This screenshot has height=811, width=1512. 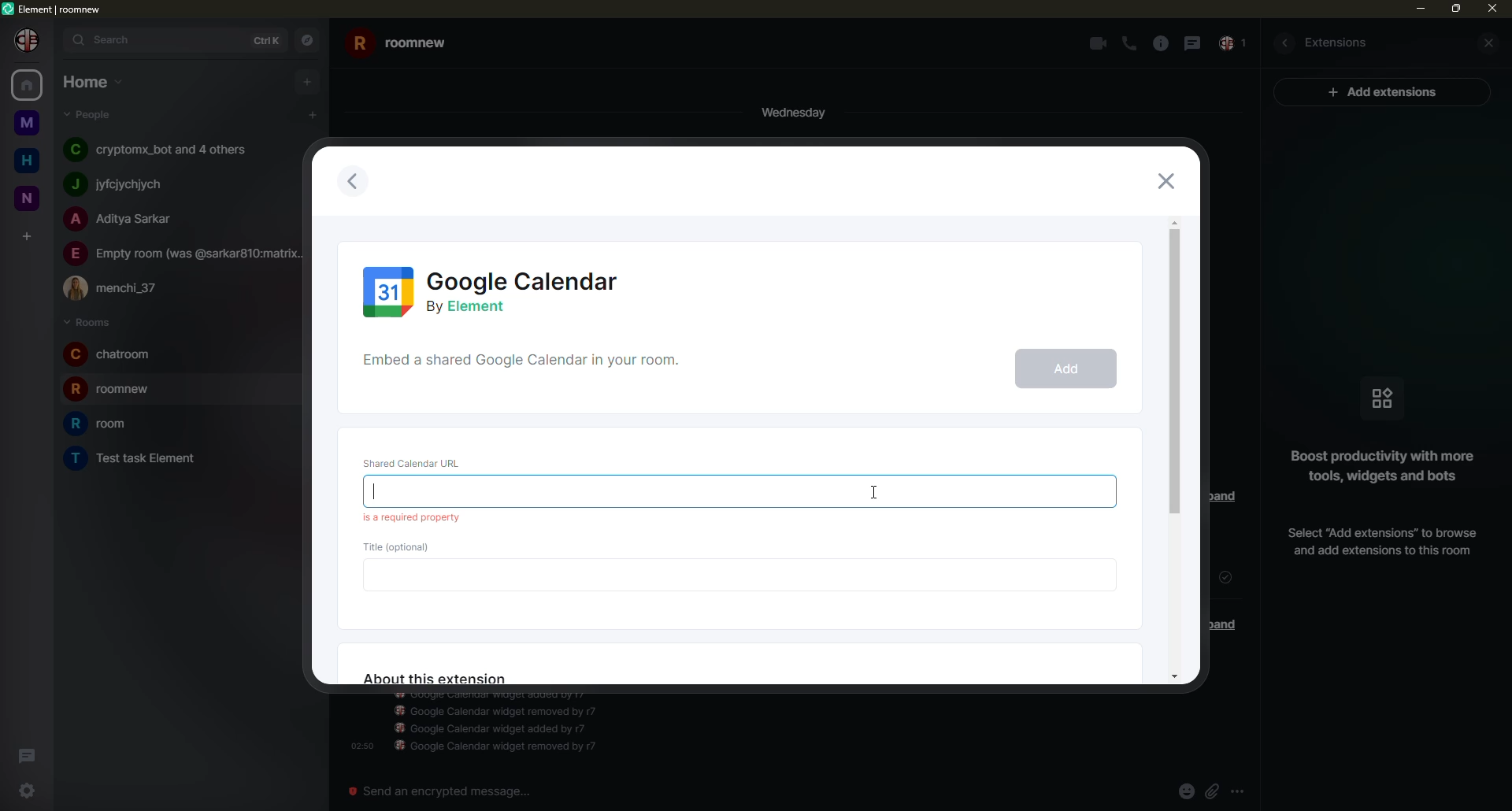 What do you see at coordinates (528, 365) in the screenshot?
I see `shared` at bounding box center [528, 365].